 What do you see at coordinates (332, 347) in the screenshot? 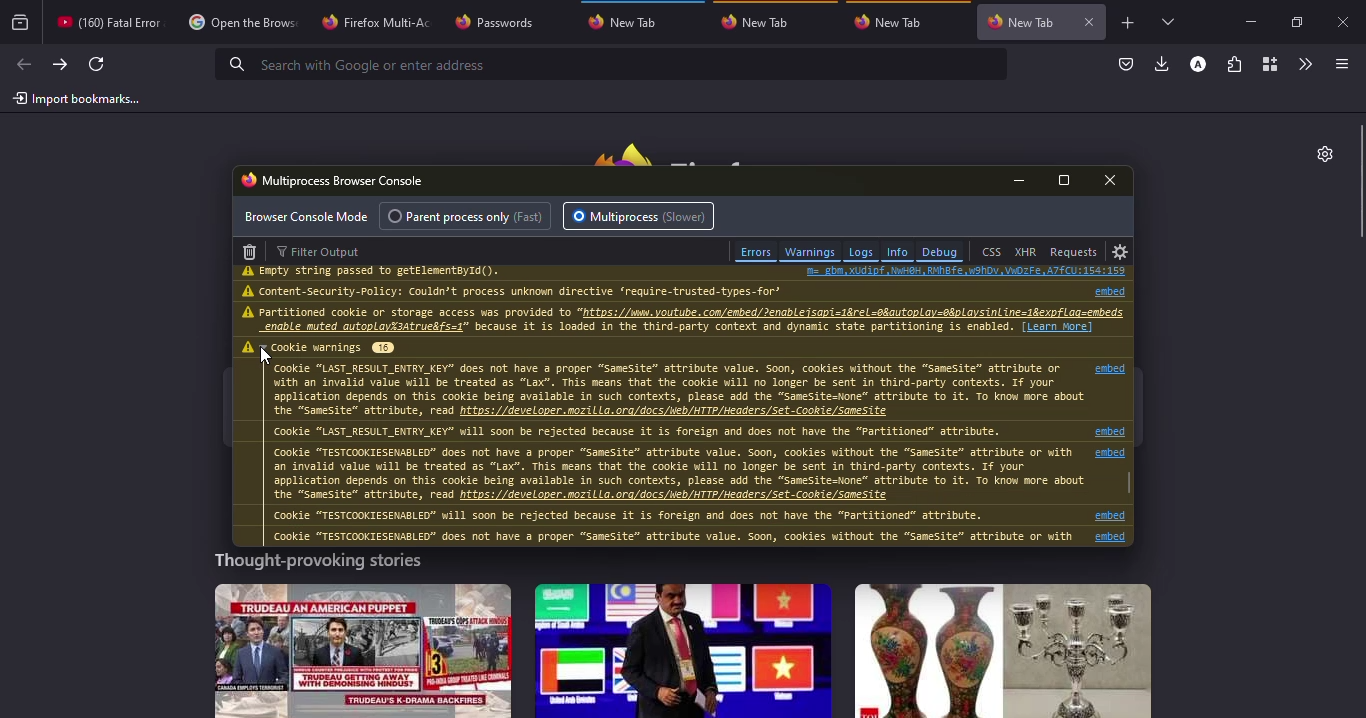
I see `expand warnings` at bounding box center [332, 347].